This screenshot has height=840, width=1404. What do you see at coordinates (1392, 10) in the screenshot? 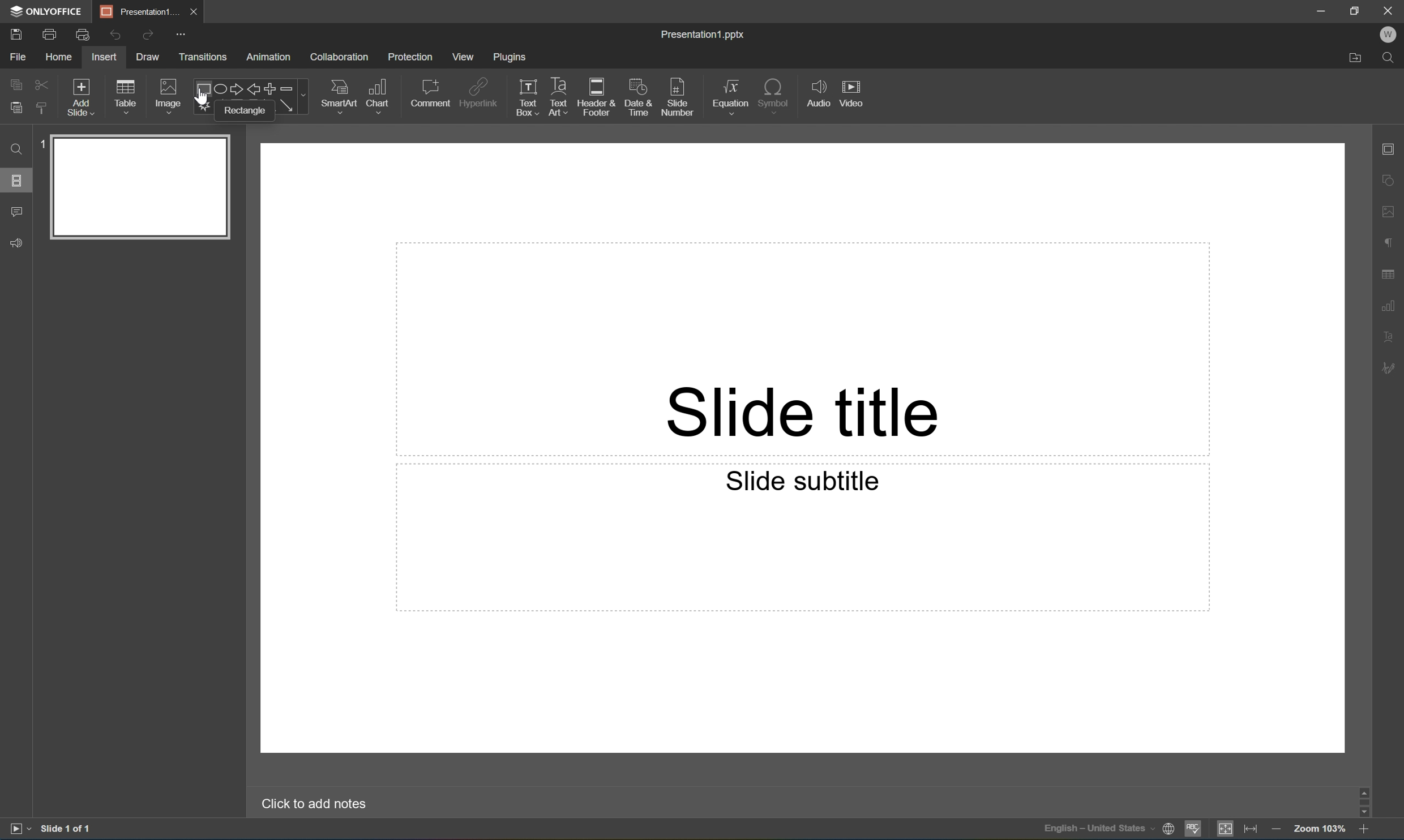
I see `Close` at bounding box center [1392, 10].